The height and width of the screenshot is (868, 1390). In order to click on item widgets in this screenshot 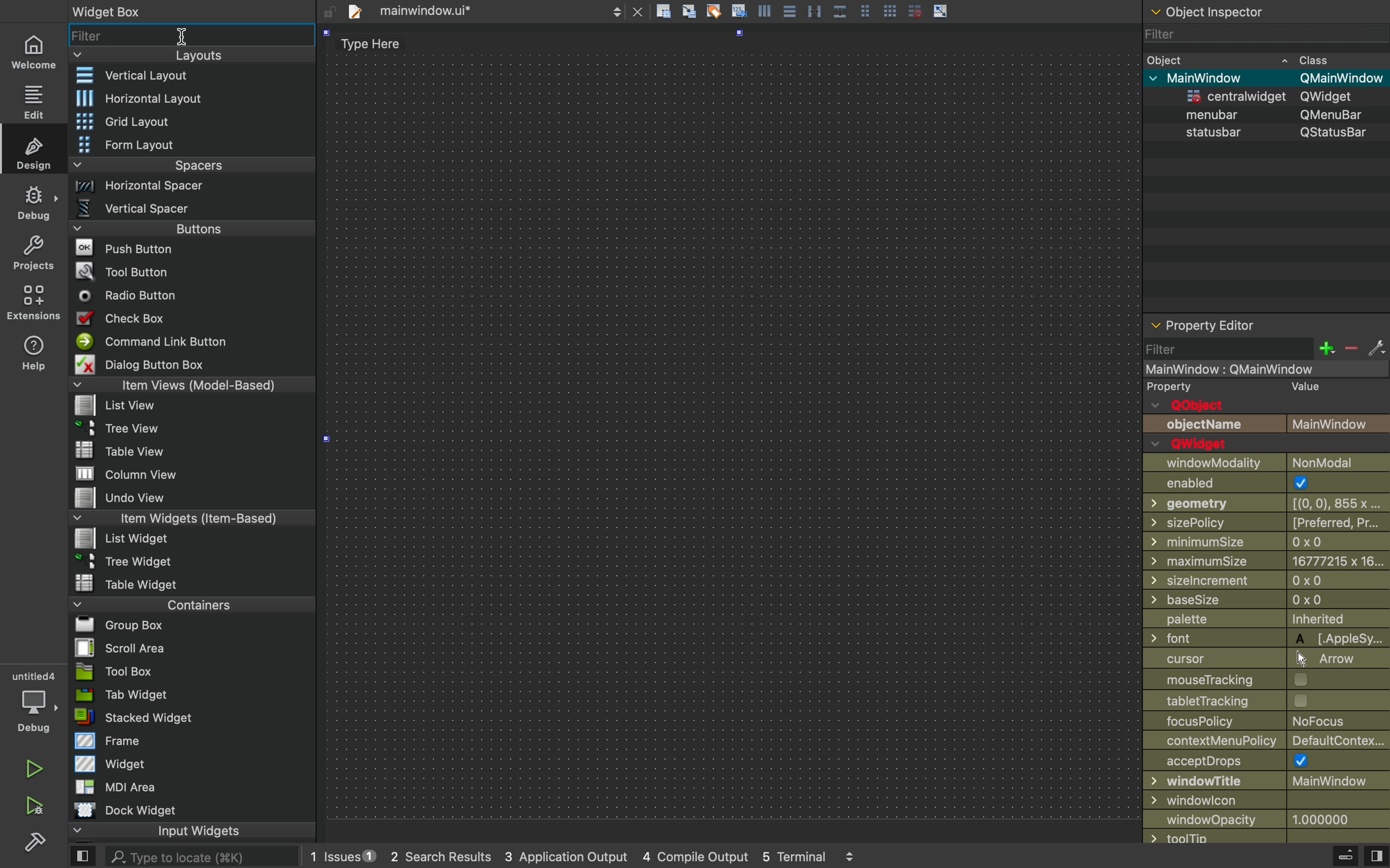, I will do `click(190, 518)`.